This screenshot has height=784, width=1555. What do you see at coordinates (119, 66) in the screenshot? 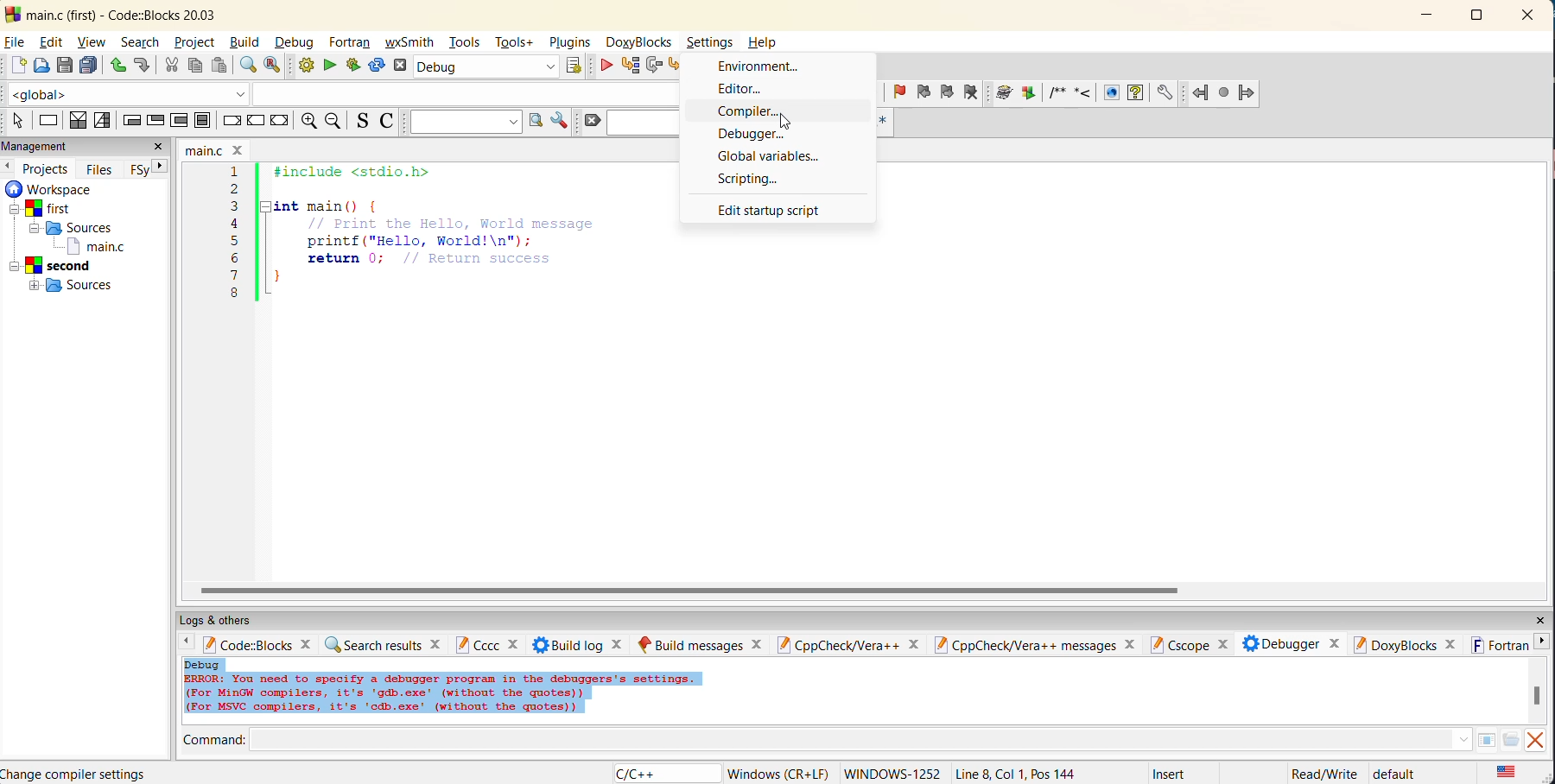
I see `undo` at bounding box center [119, 66].